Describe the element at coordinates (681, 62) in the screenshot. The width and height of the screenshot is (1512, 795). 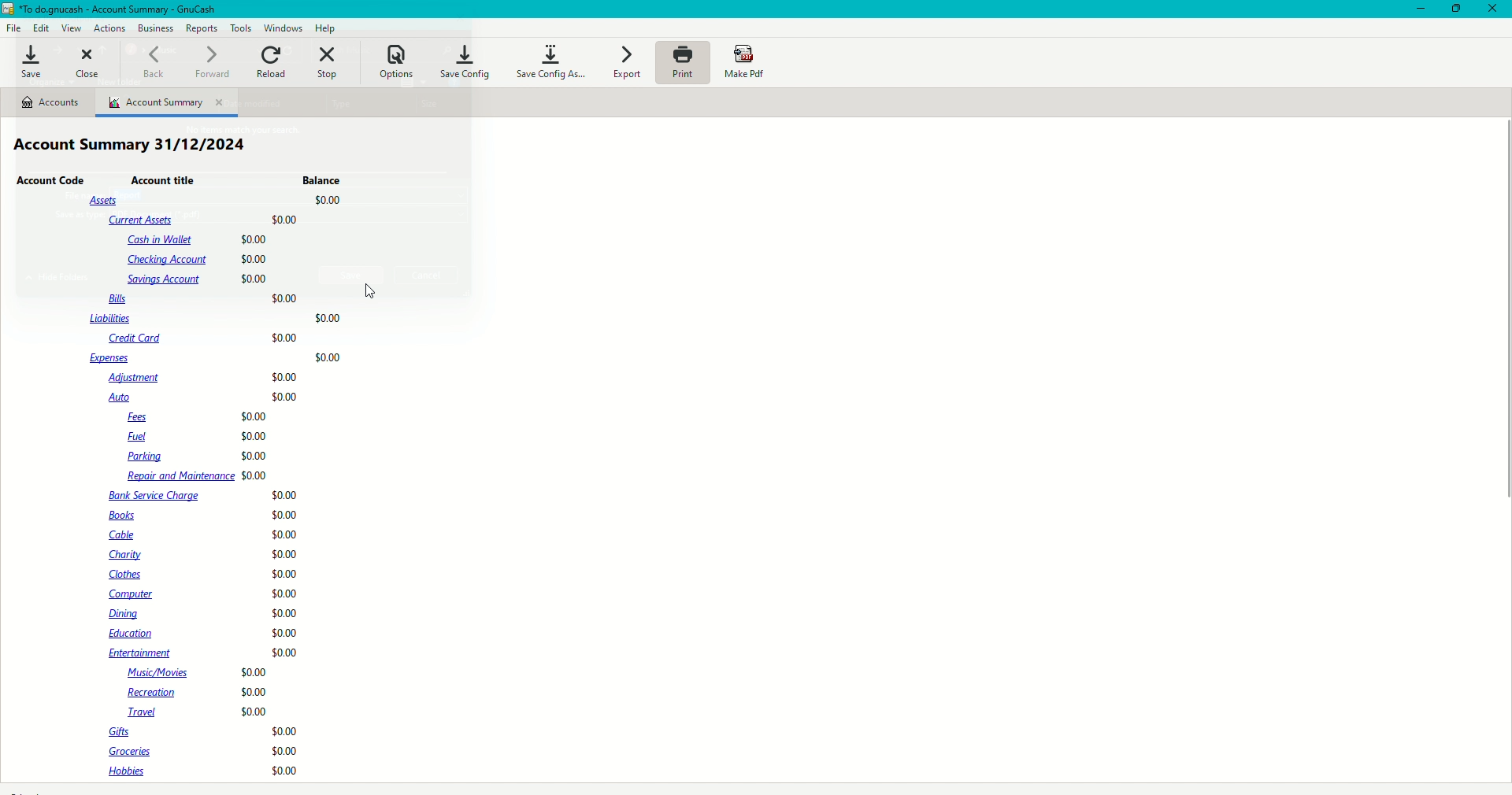
I see `Print` at that location.